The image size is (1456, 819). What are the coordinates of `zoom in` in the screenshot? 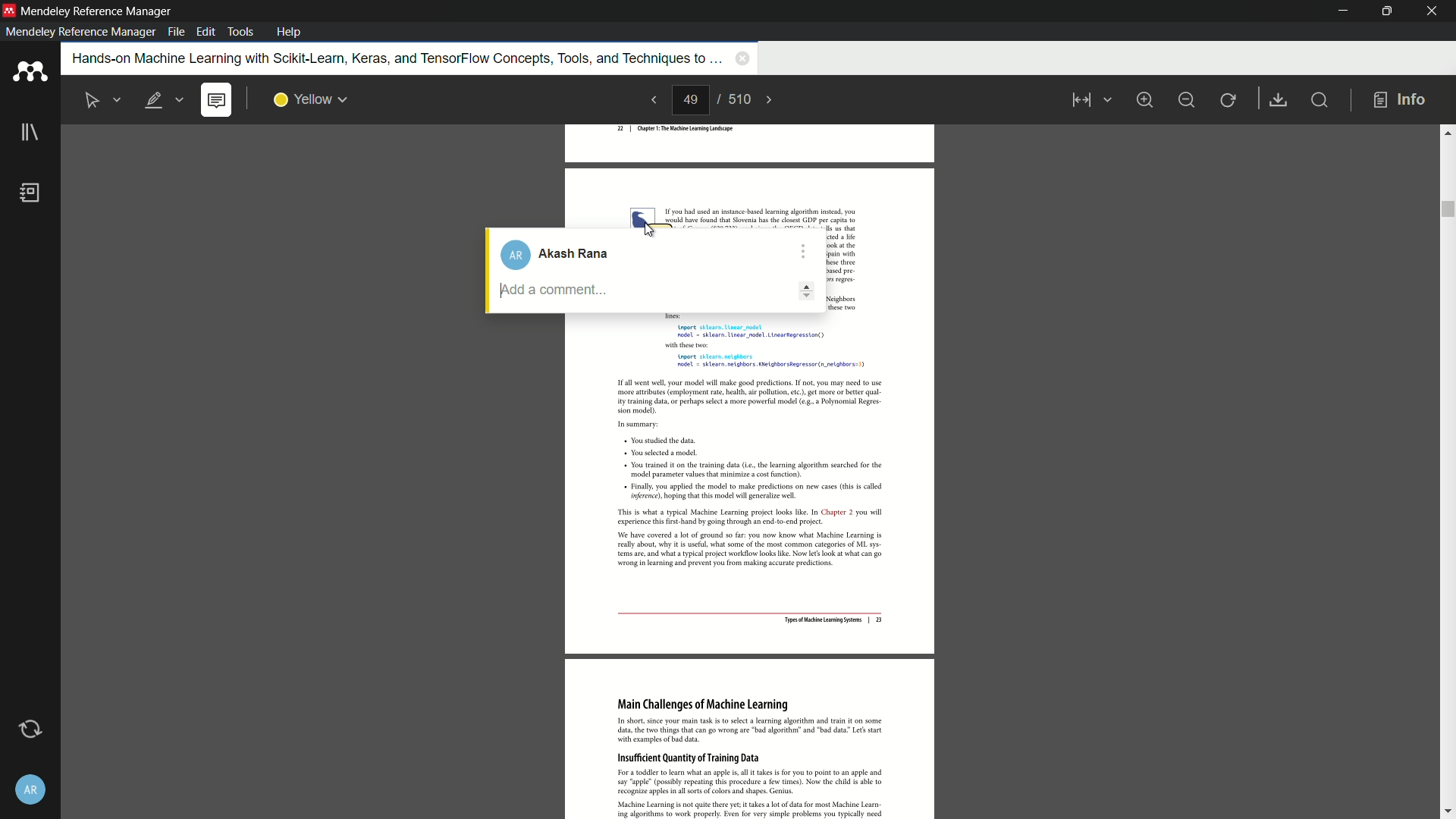 It's located at (1145, 99).